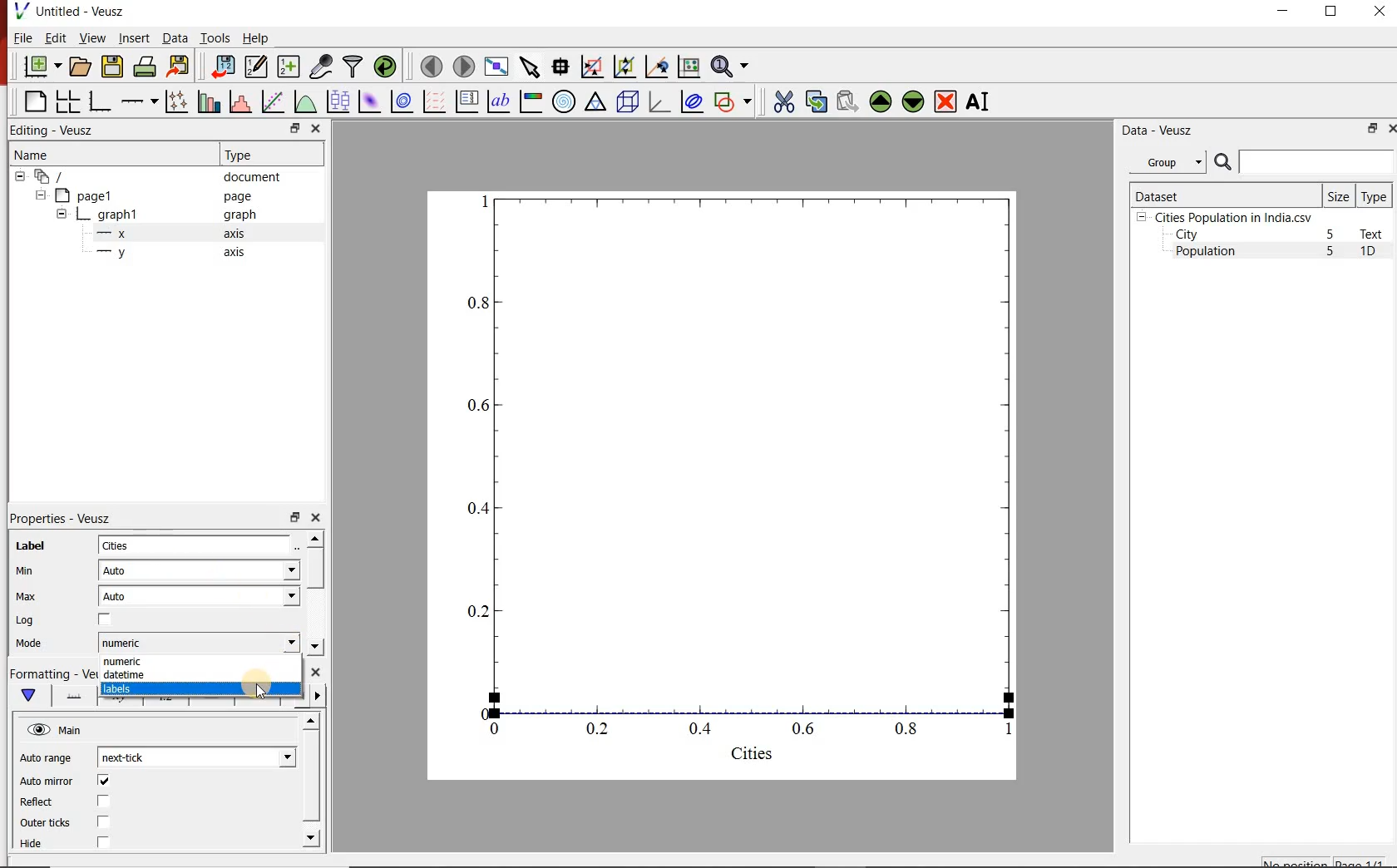  What do you see at coordinates (104, 801) in the screenshot?
I see `check/uncheck` at bounding box center [104, 801].